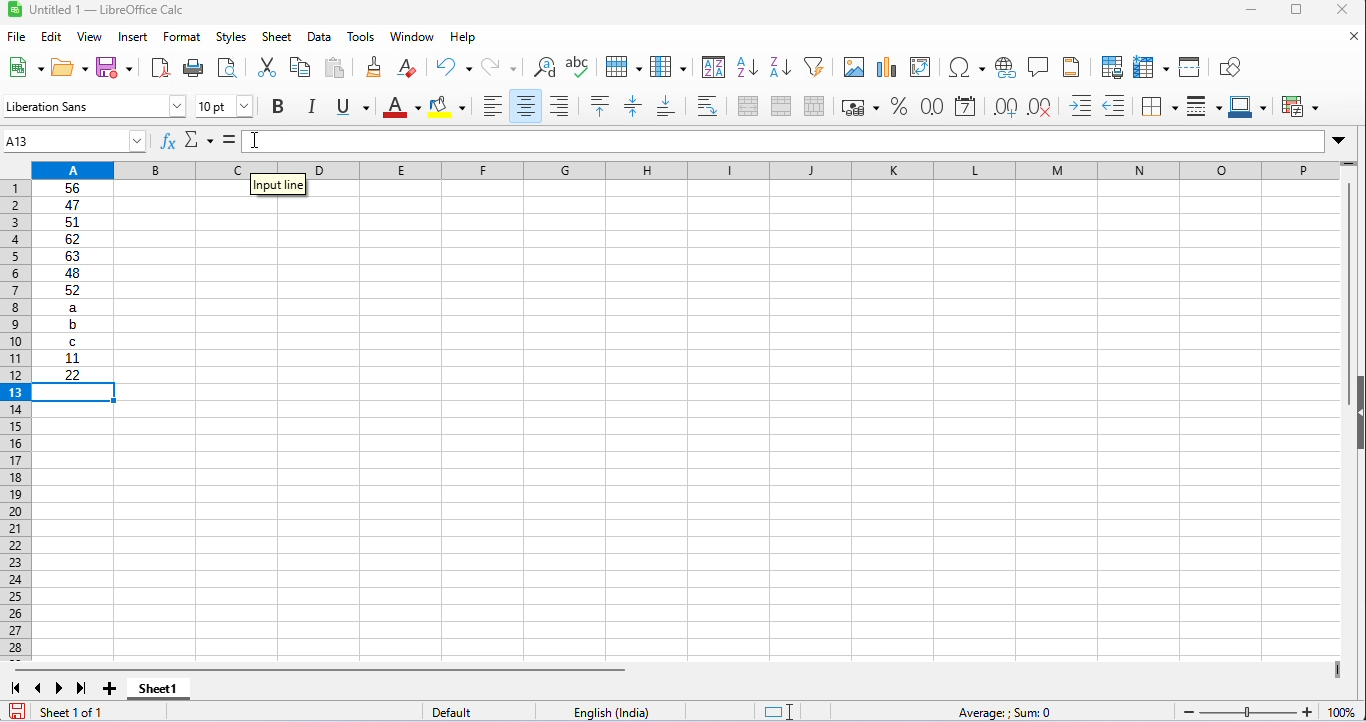 The image size is (1366, 722). Describe the element at coordinates (524, 106) in the screenshot. I see `align center` at that location.